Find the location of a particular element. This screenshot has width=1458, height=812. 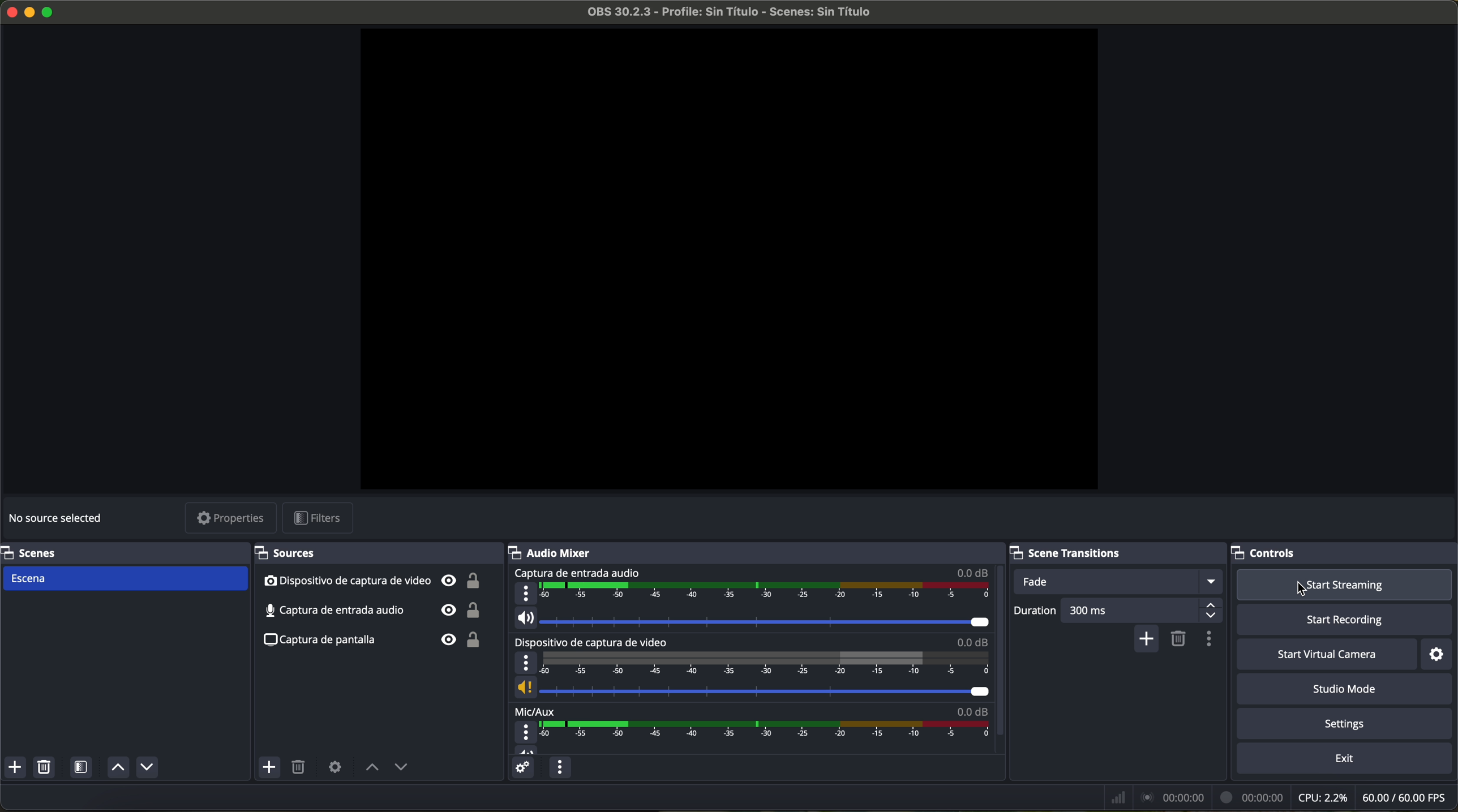

remove configurable transition is located at coordinates (1179, 638).